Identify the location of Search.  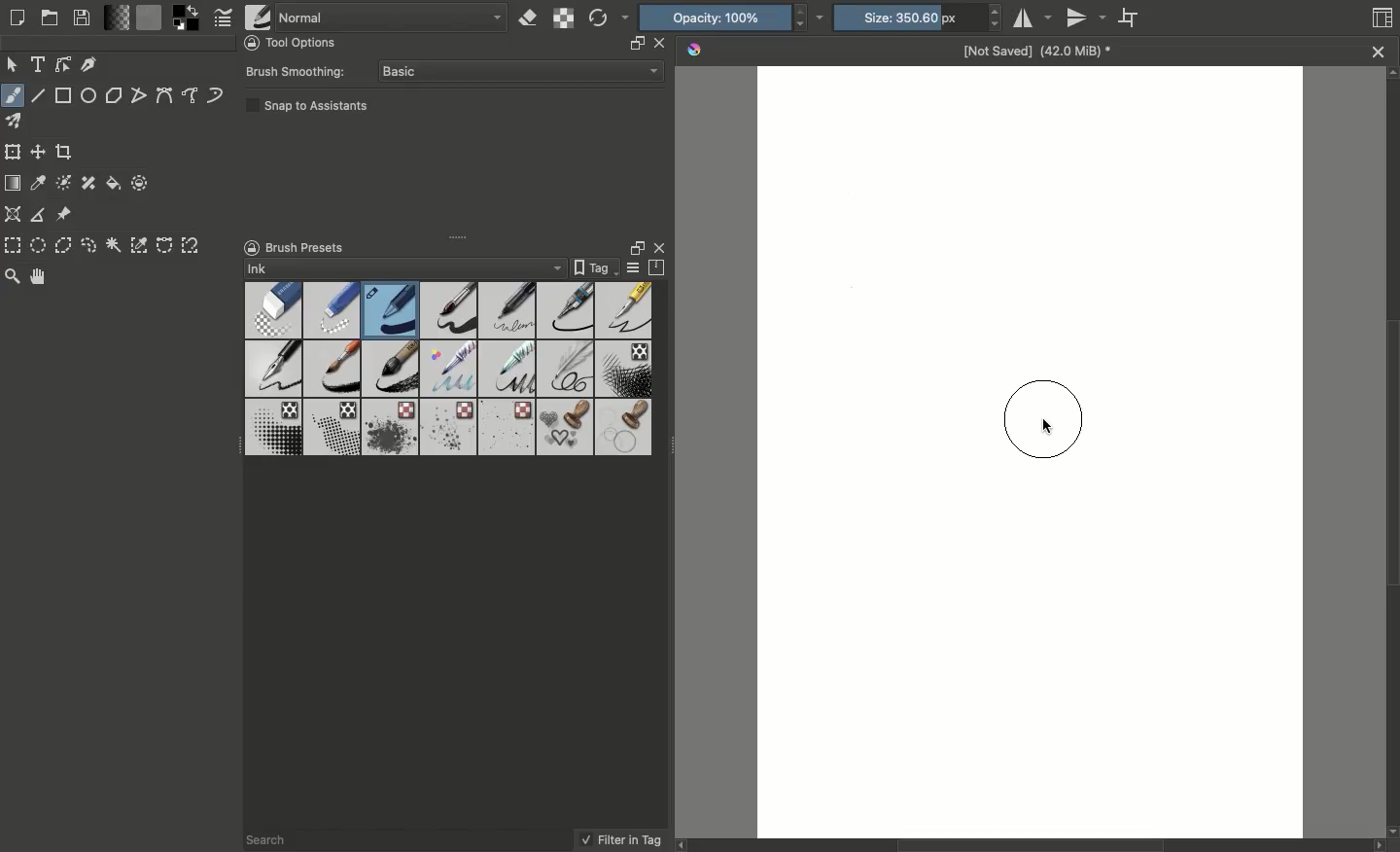
(276, 838).